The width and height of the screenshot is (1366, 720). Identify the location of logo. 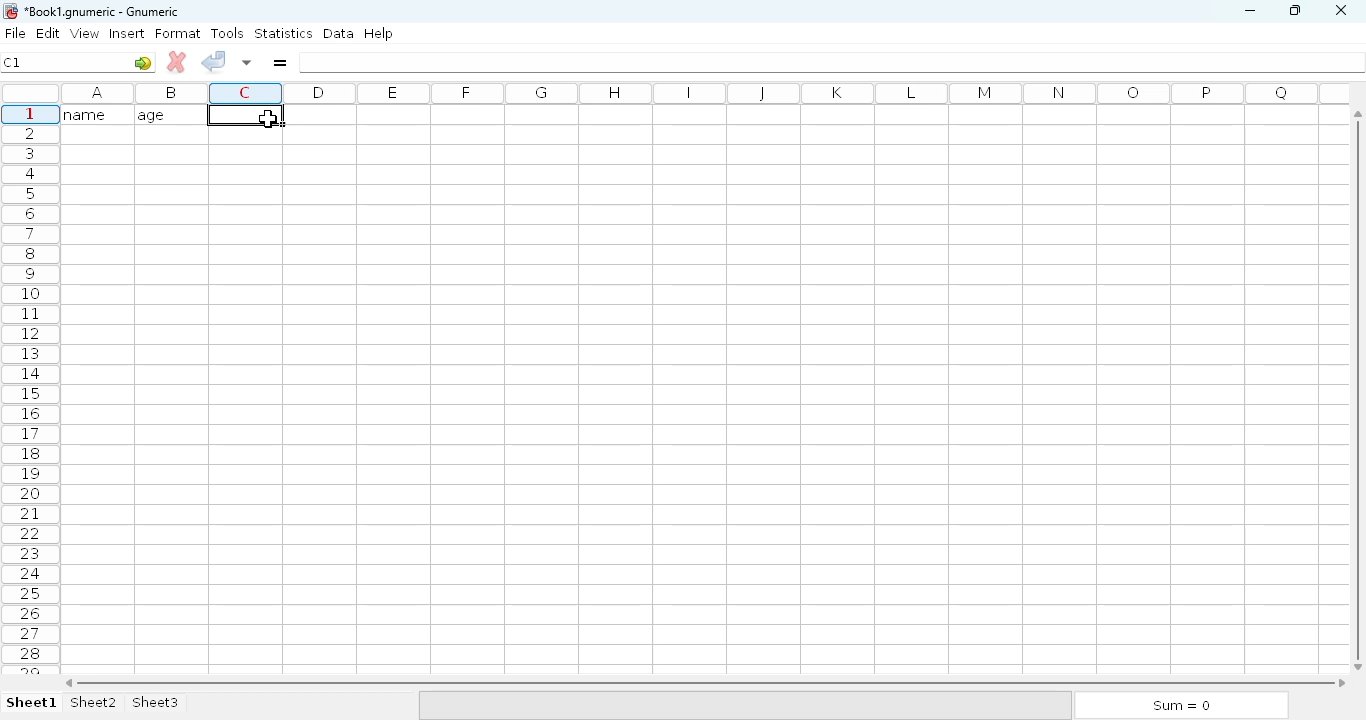
(9, 11).